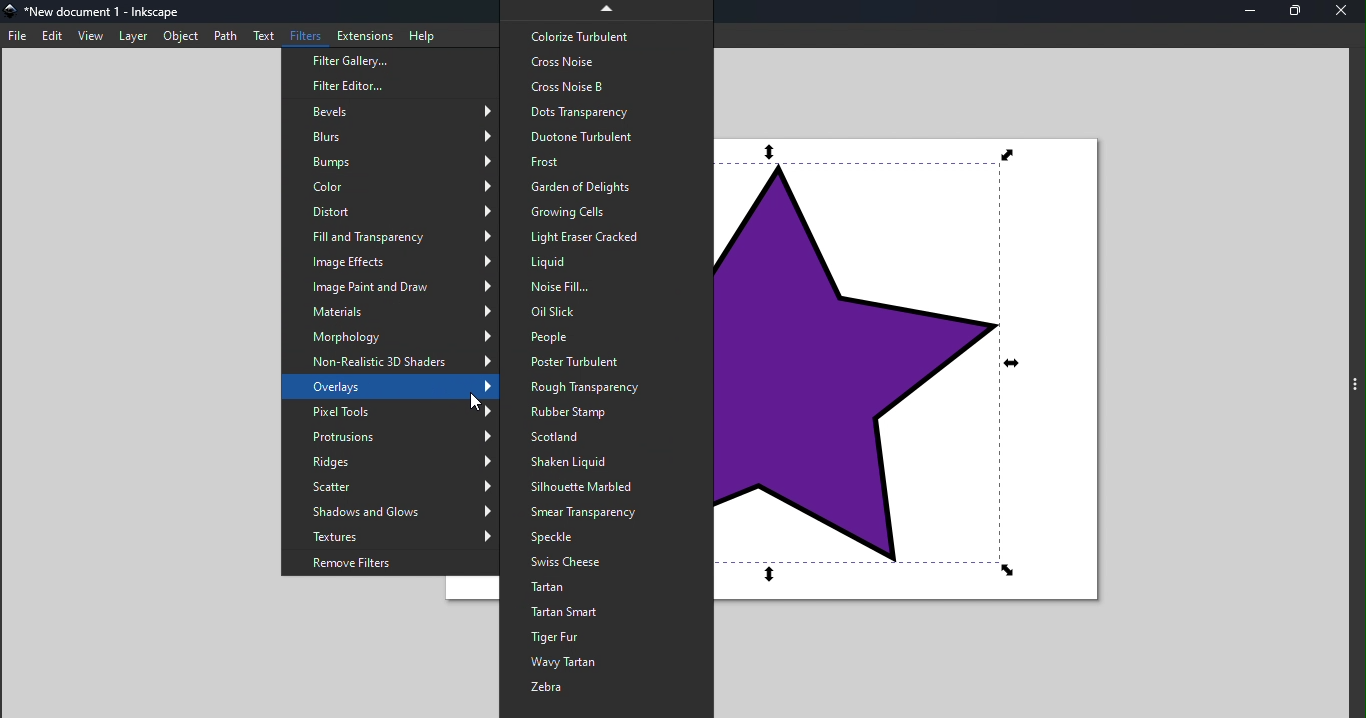 The width and height of the screenshot is (1366, 718). What do you see at coordinates (387, 63) in the screenshot?
I see `Filter gallery` at bounding box center [387, 63].